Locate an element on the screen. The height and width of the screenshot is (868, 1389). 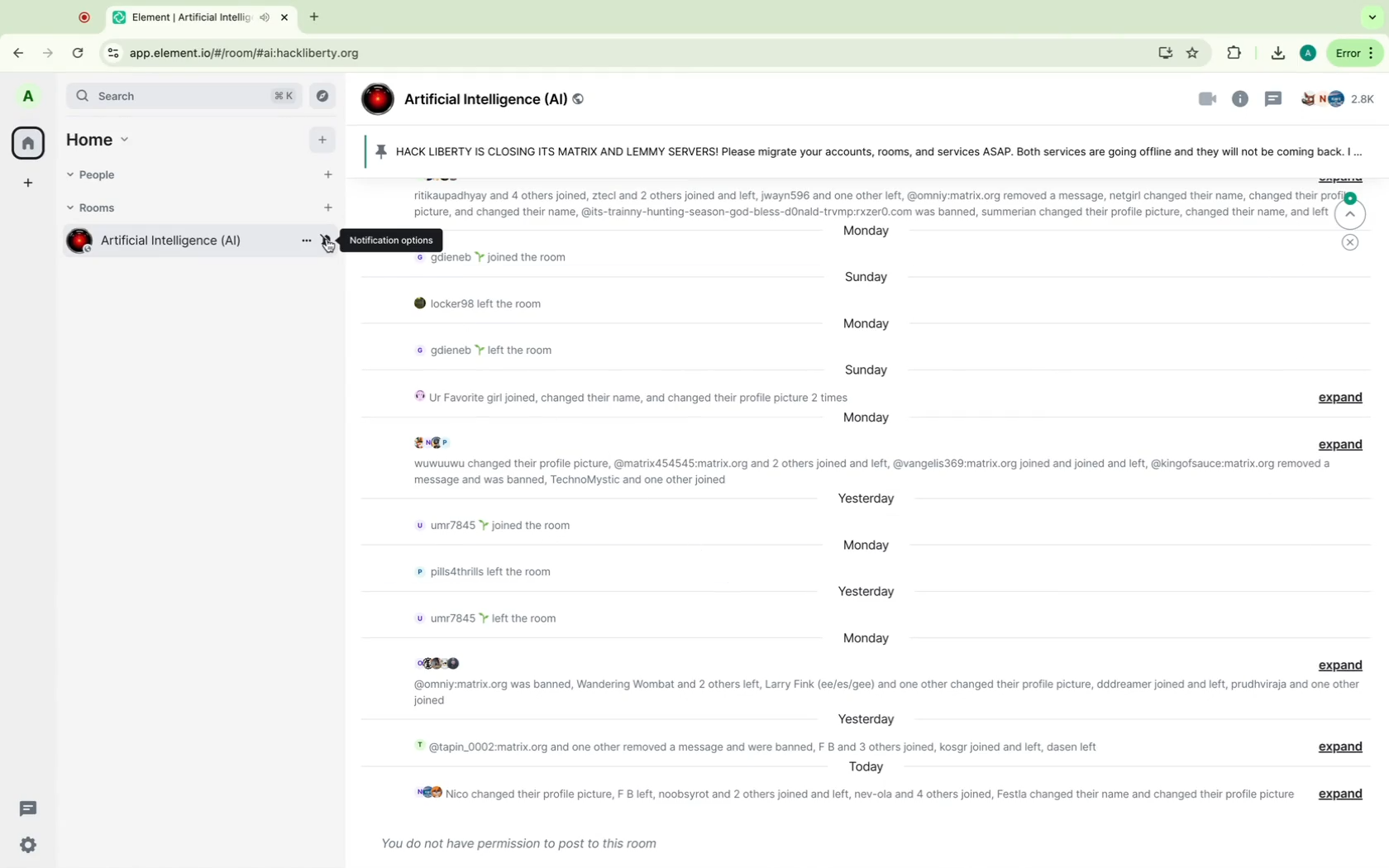
close is located at coordinates (1350, 242).